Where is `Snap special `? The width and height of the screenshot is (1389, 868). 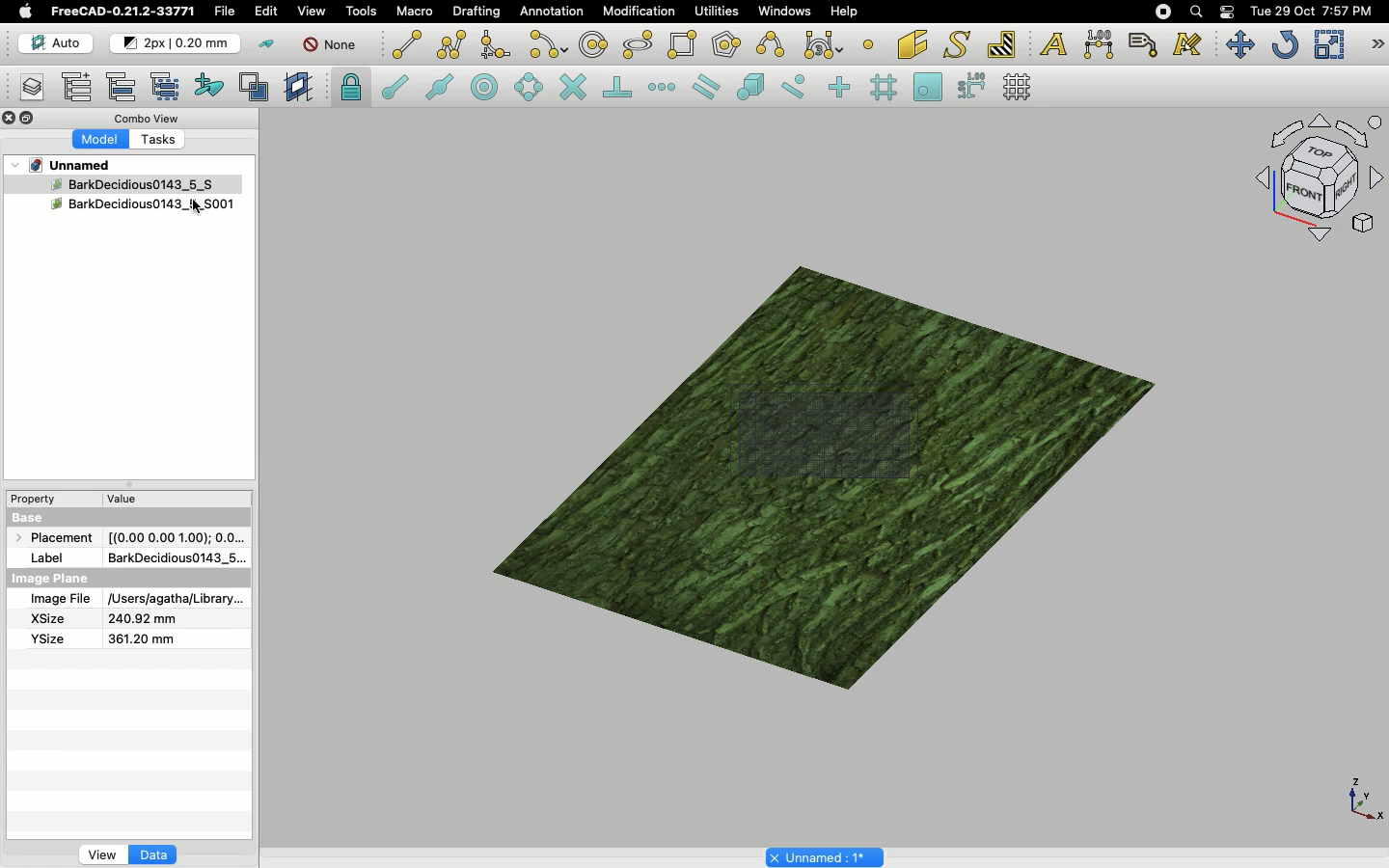 Snap special  is located at coordinates (754, 89).